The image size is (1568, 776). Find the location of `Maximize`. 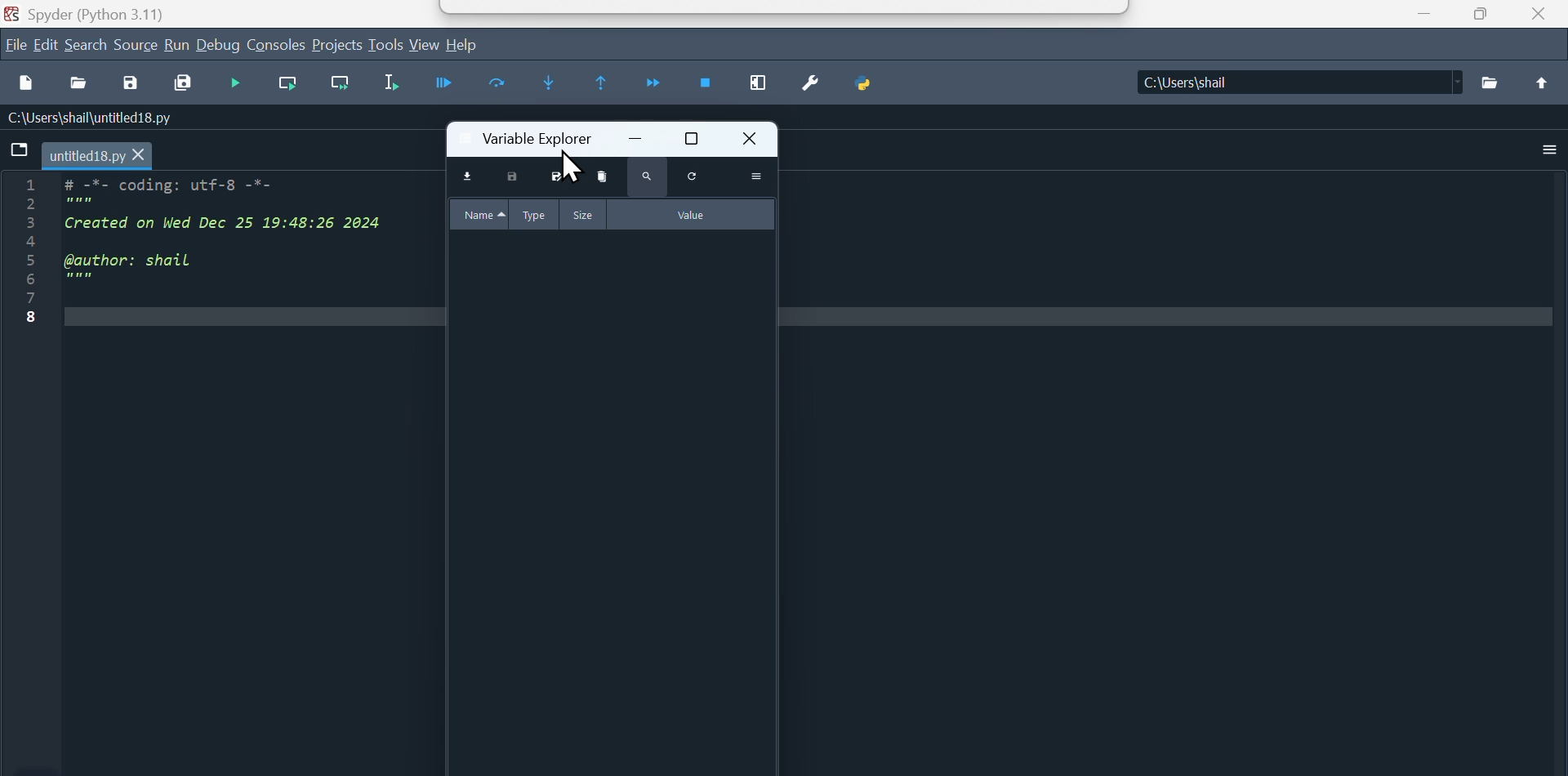

Maximize is located at coordinates (1488, 15).